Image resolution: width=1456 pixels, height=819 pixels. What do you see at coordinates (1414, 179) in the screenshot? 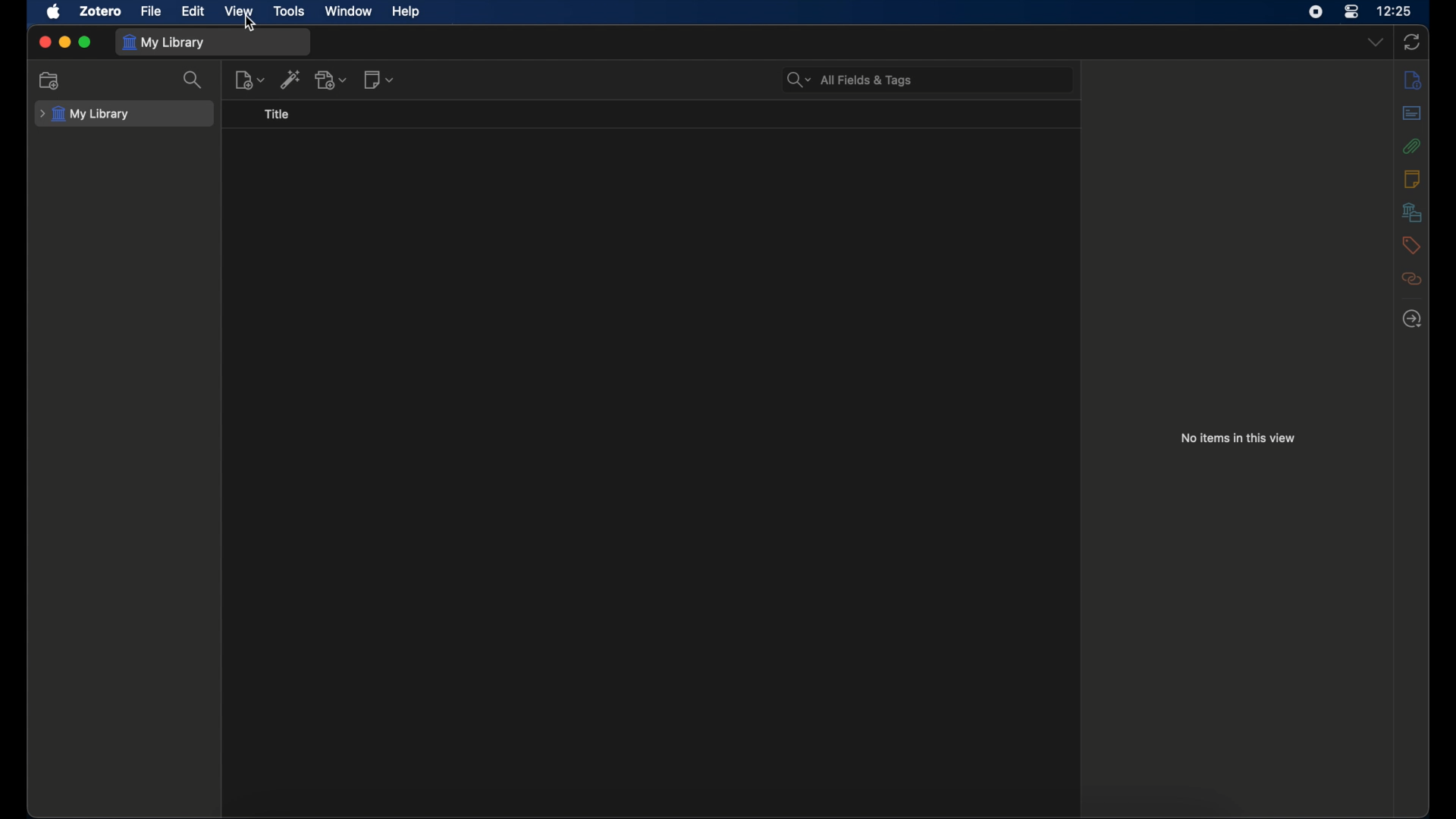
I see `notes` at bounding box center [1414, 179].